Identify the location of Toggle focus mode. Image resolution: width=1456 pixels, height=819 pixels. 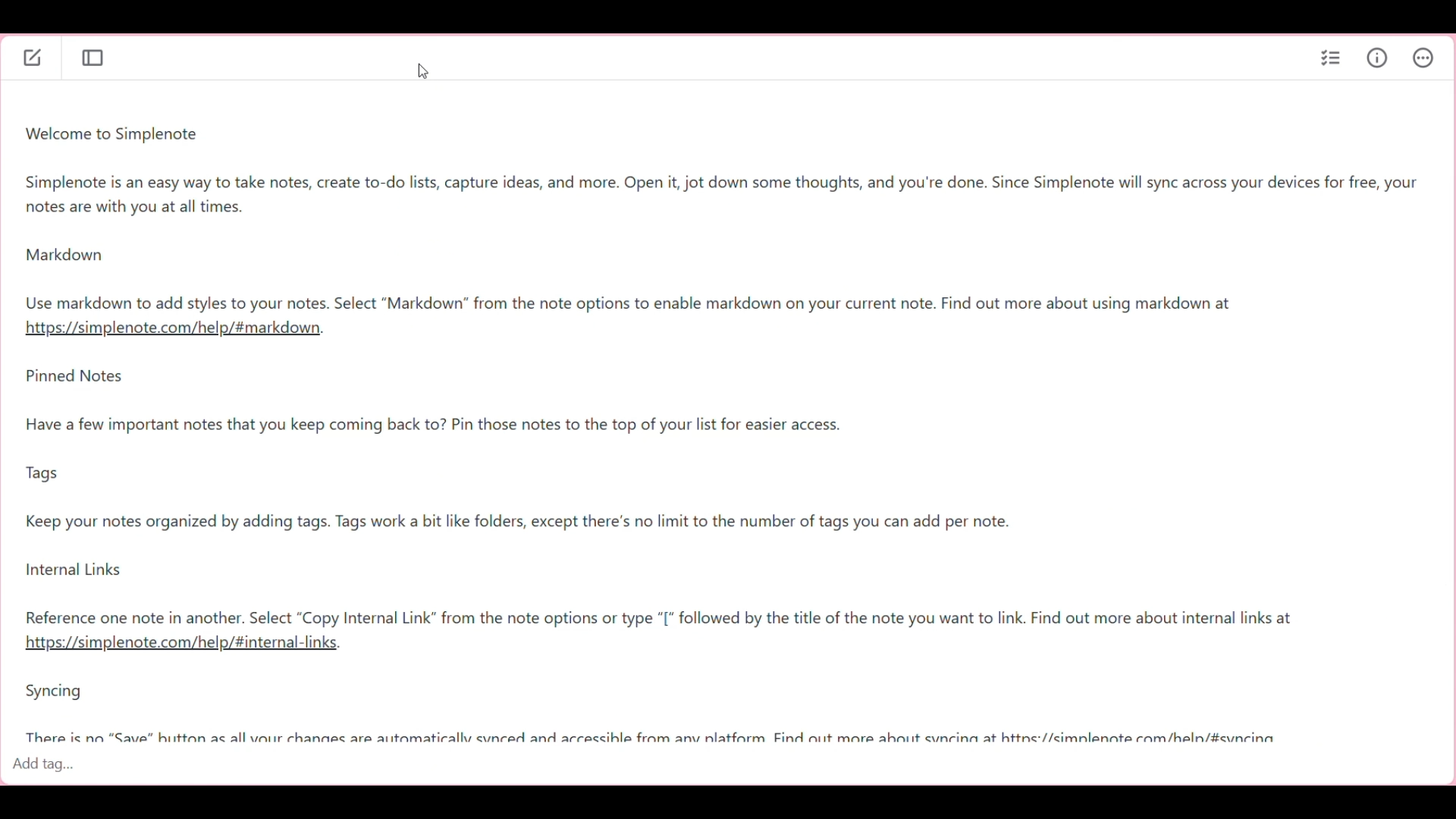
(94, 58).